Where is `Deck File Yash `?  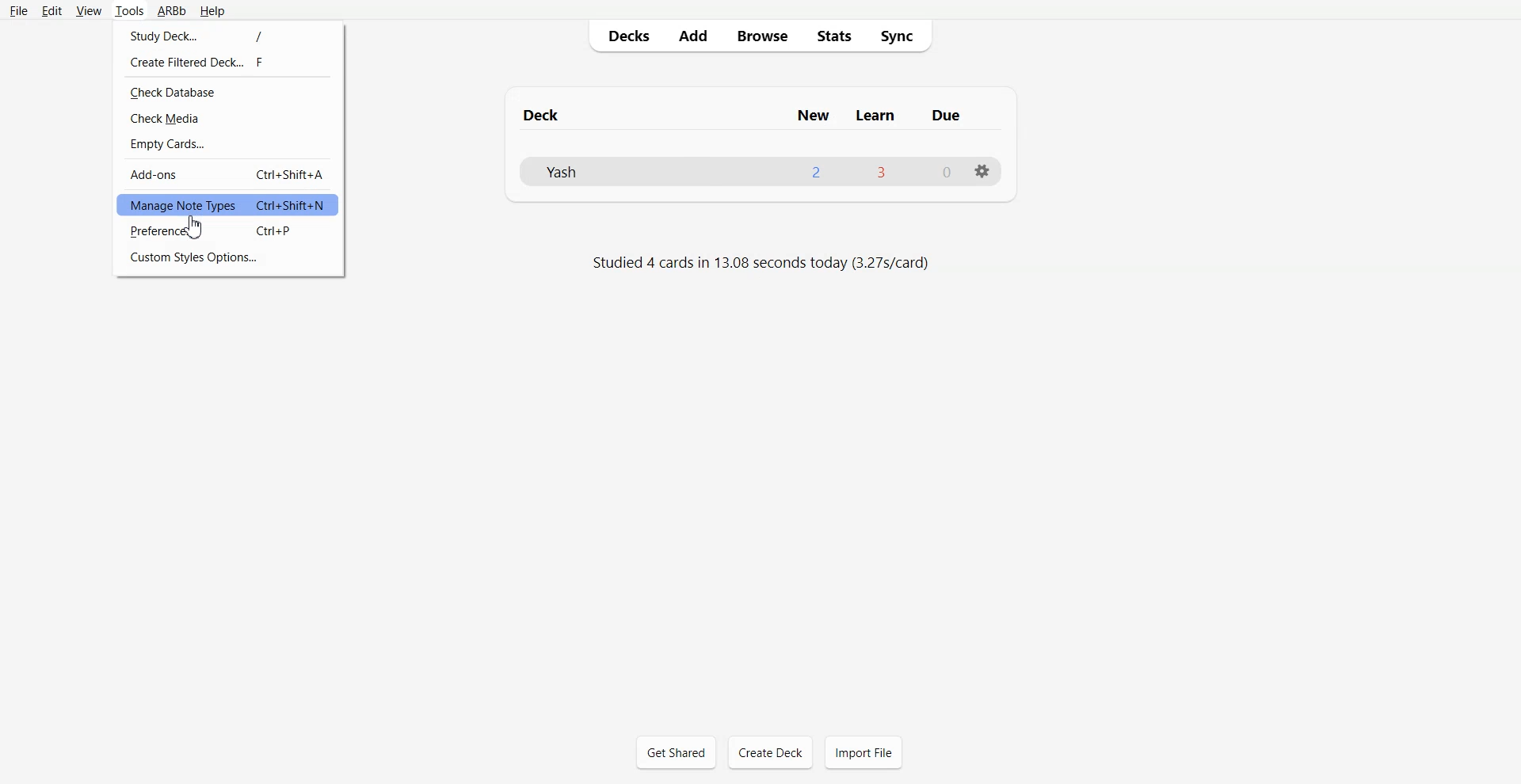
Deck File Yash  is located at coordinates (759, 171).